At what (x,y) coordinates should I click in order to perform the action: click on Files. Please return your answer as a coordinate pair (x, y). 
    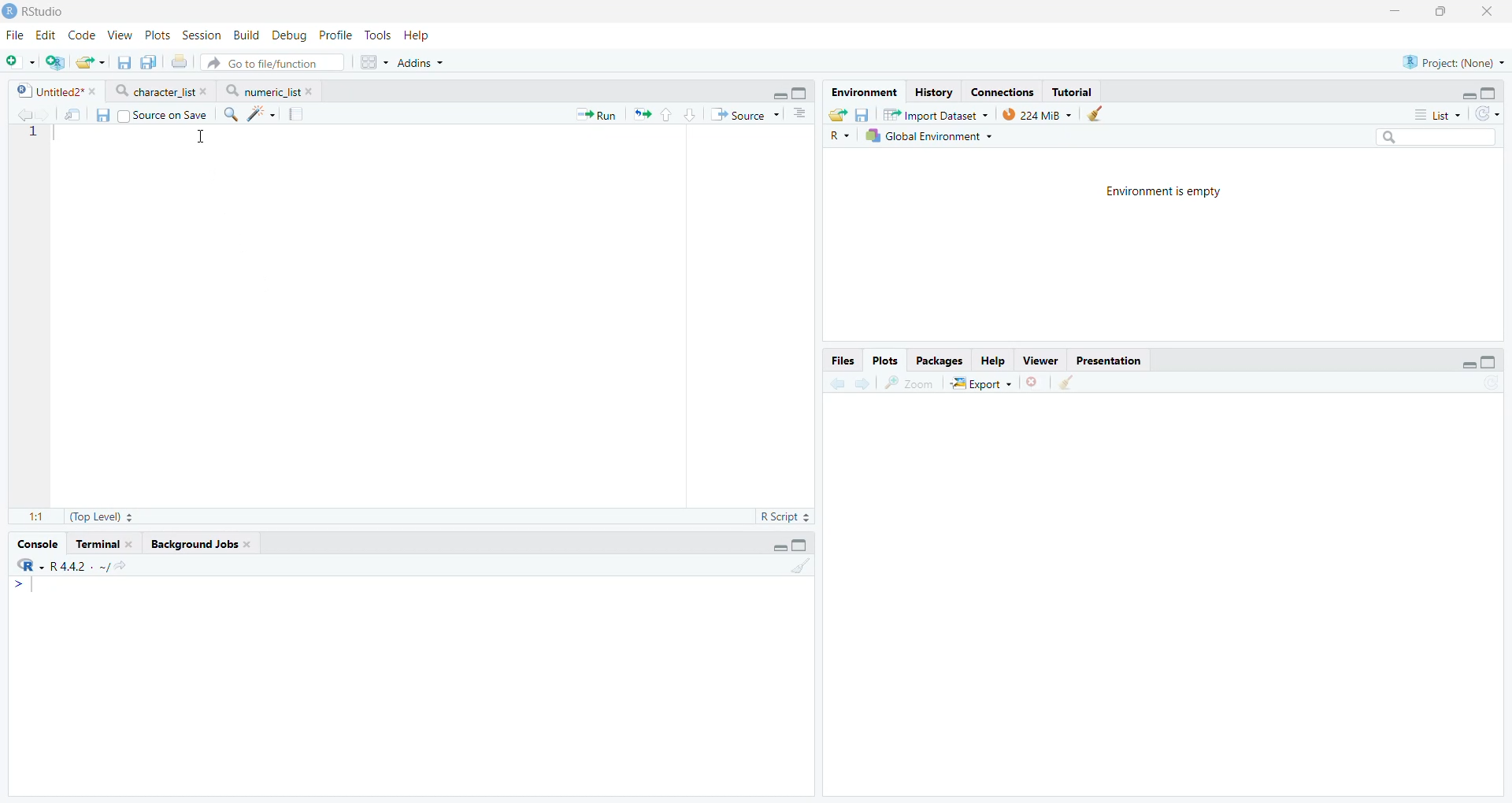
    Looking at the image, I should click on (843, 360).